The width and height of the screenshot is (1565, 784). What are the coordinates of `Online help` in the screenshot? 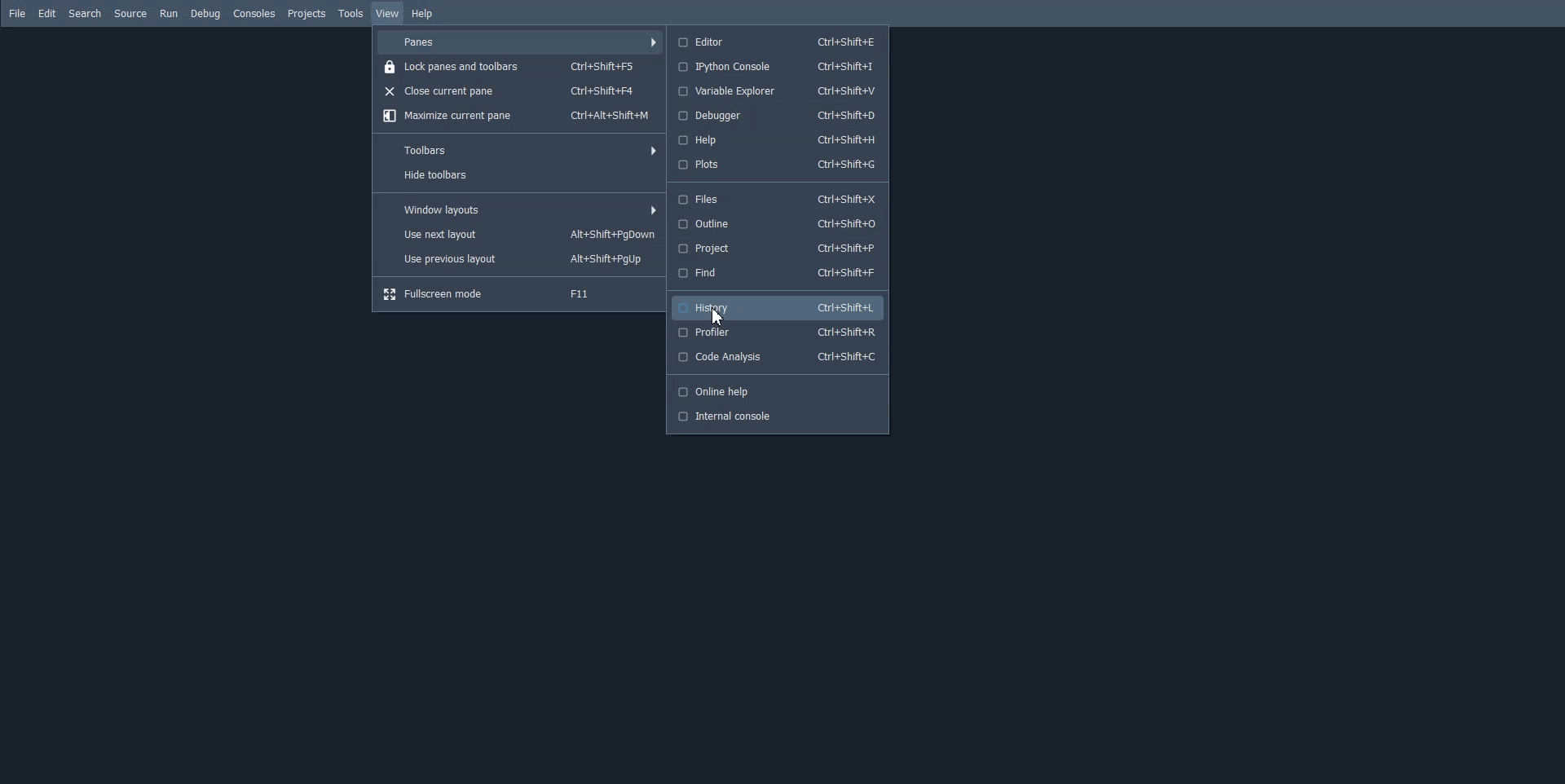 It's located at (776, 391).